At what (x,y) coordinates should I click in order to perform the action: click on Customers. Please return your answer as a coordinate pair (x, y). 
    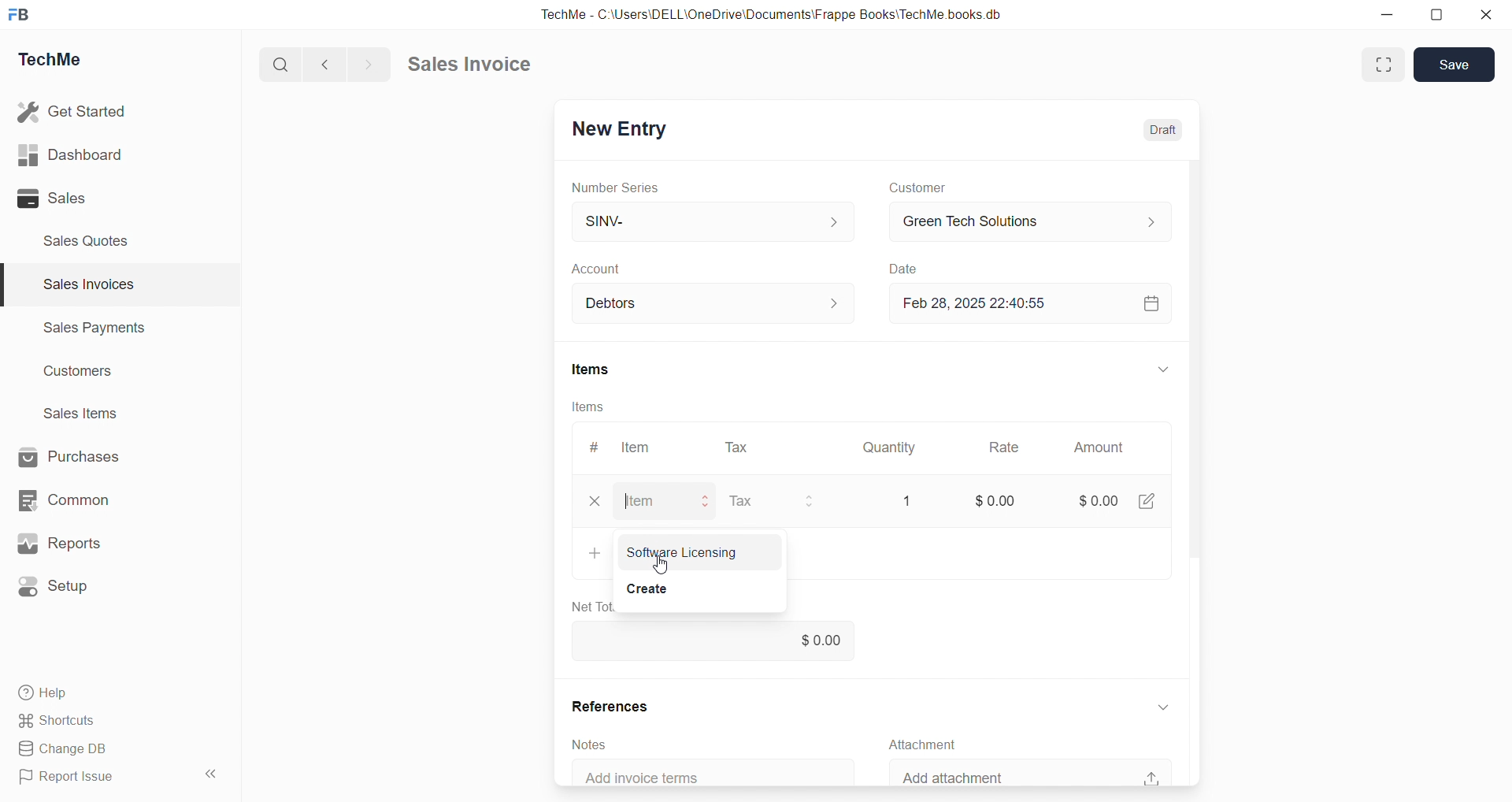
    Looking at the image, I should click on (80, 373).